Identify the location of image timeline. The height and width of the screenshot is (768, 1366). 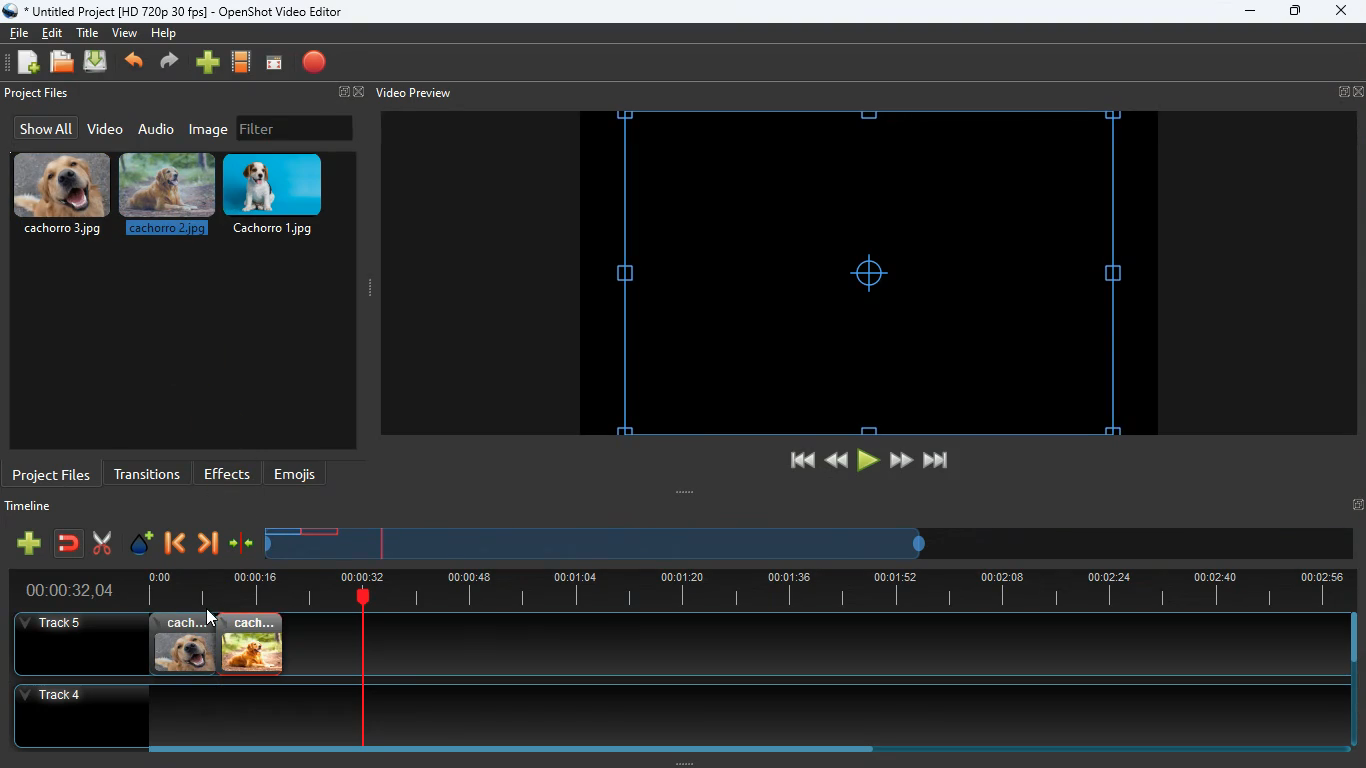
(282, 531).